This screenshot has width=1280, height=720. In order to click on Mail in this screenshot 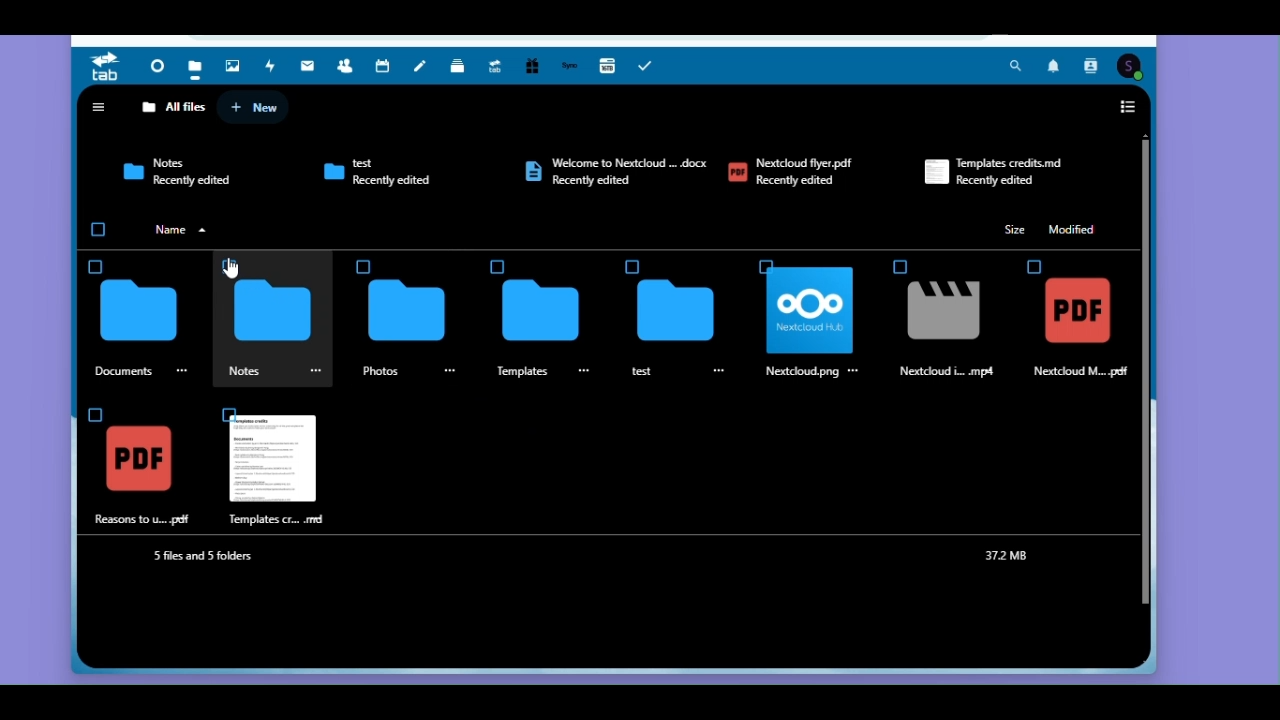, I will do `click(312, 68)`.